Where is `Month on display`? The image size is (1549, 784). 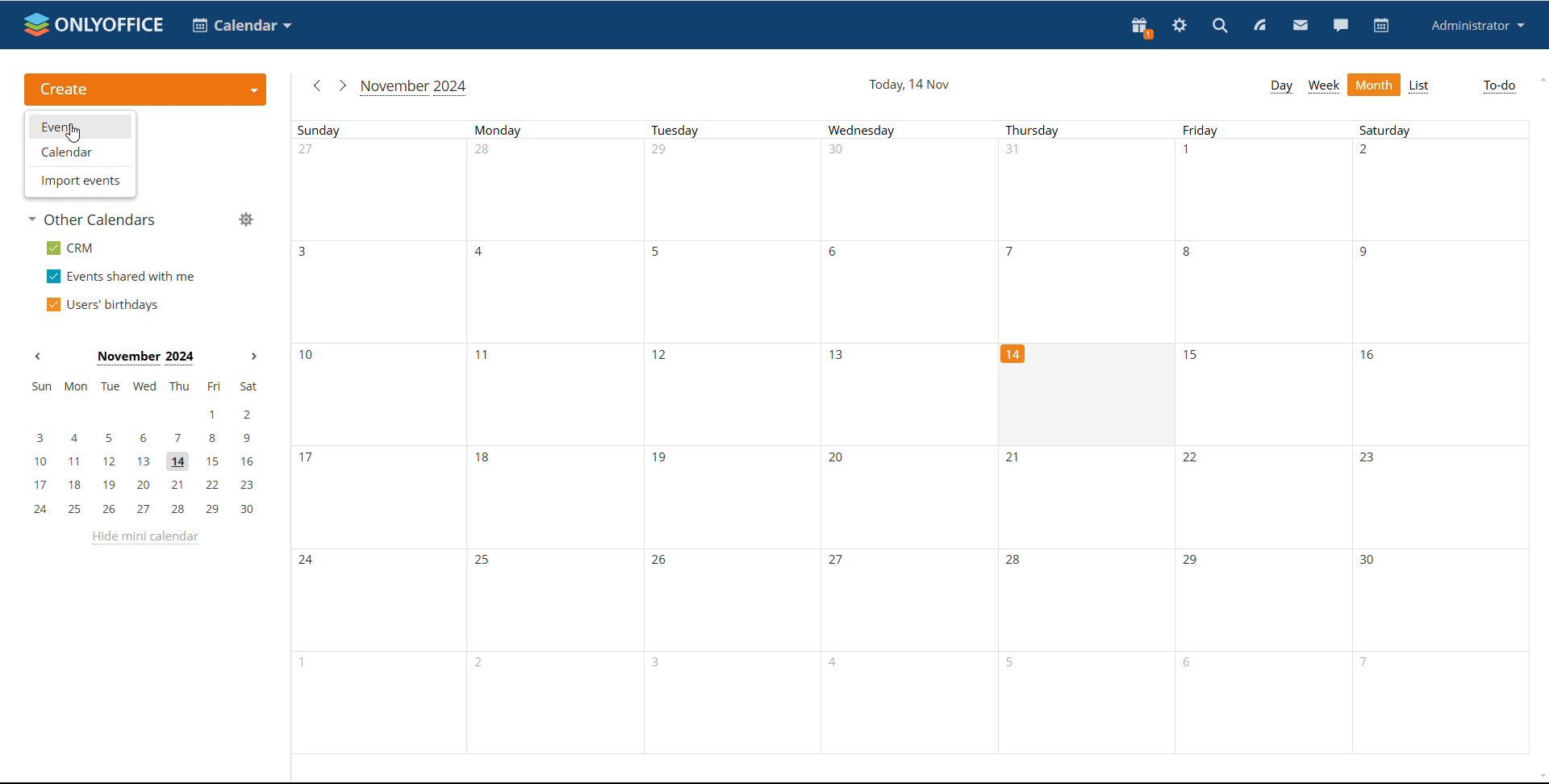
Month on display is located at coordinates (145, 358).